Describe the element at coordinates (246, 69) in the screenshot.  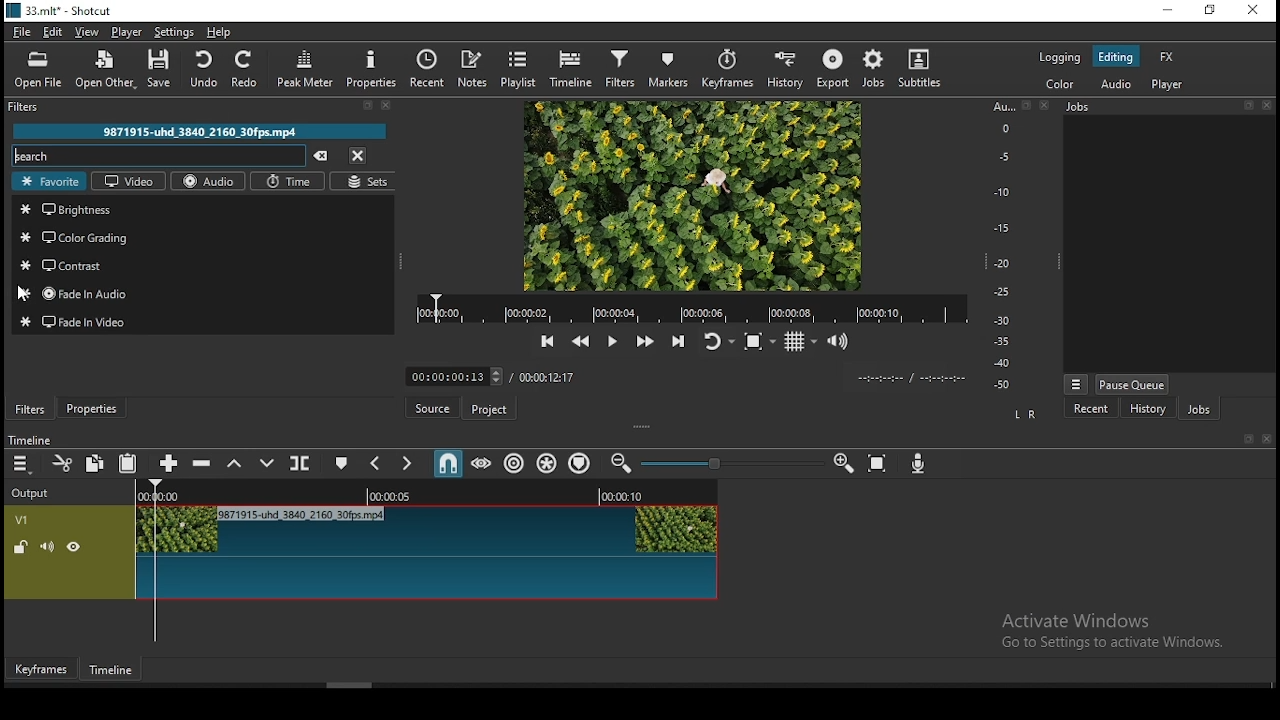
I see `redo` at that location.